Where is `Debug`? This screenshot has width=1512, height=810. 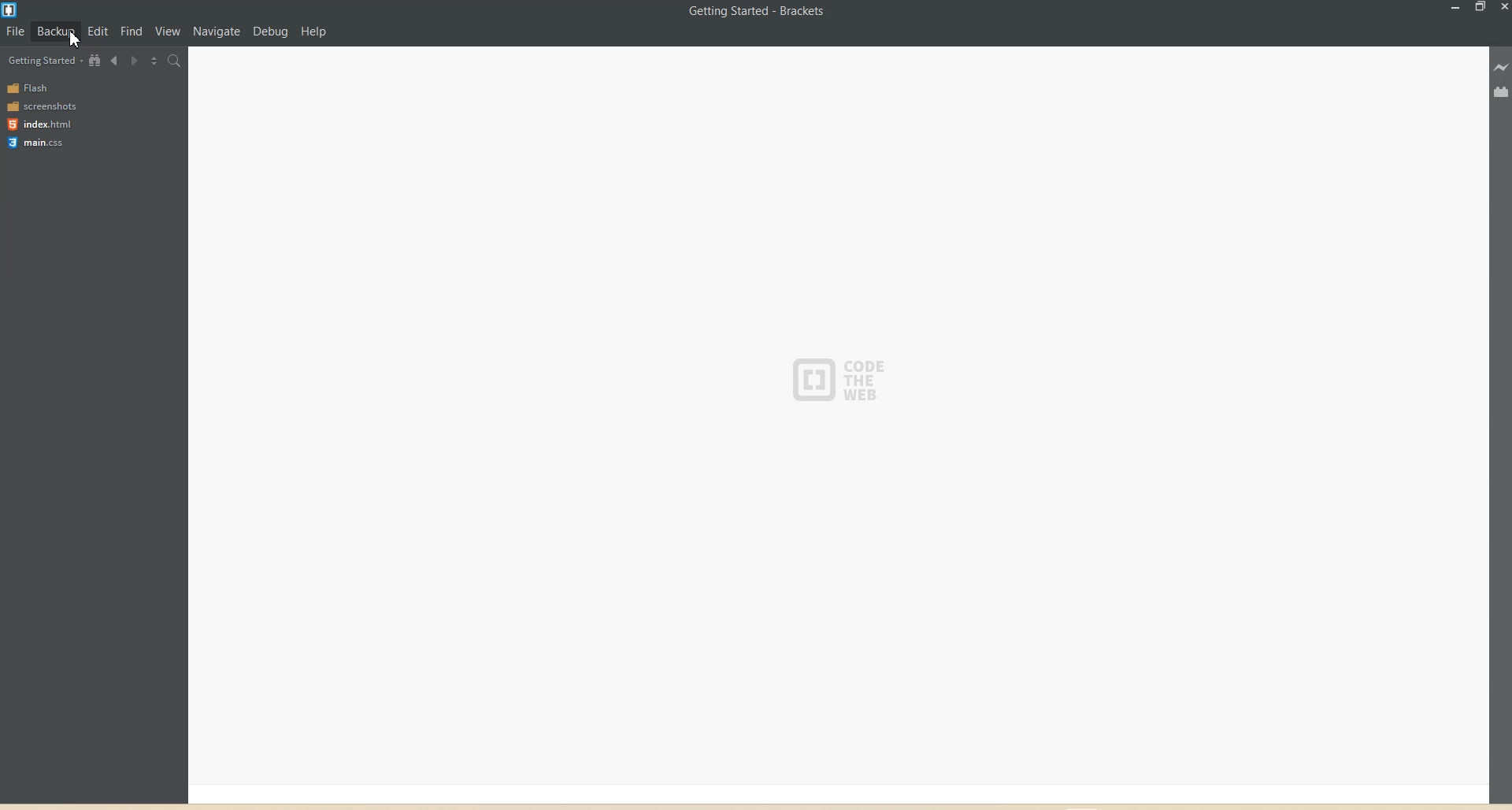 Debug is located at coordinates (272, 31).